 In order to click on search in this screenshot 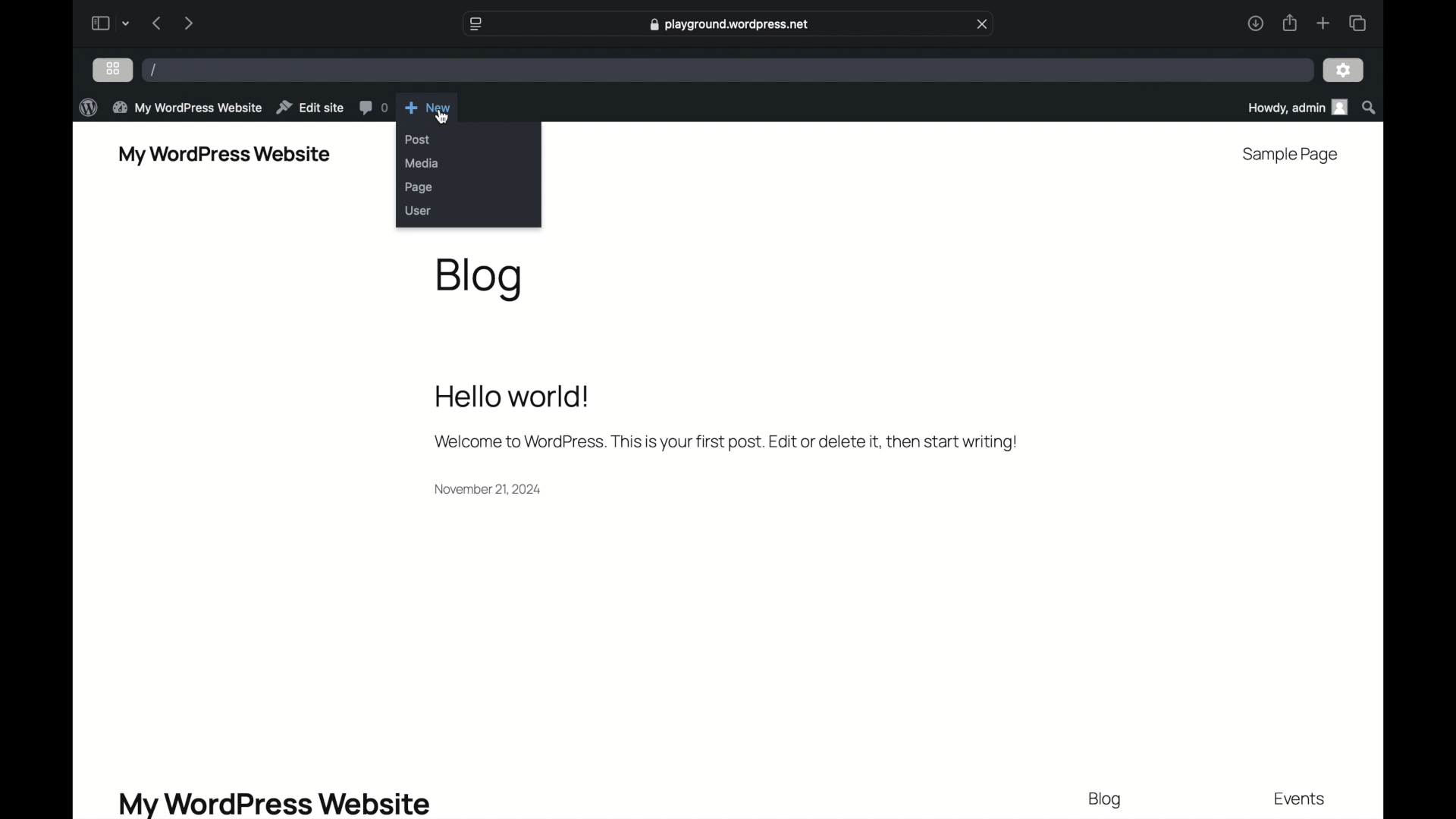, I will do `click(1370, 108)`.